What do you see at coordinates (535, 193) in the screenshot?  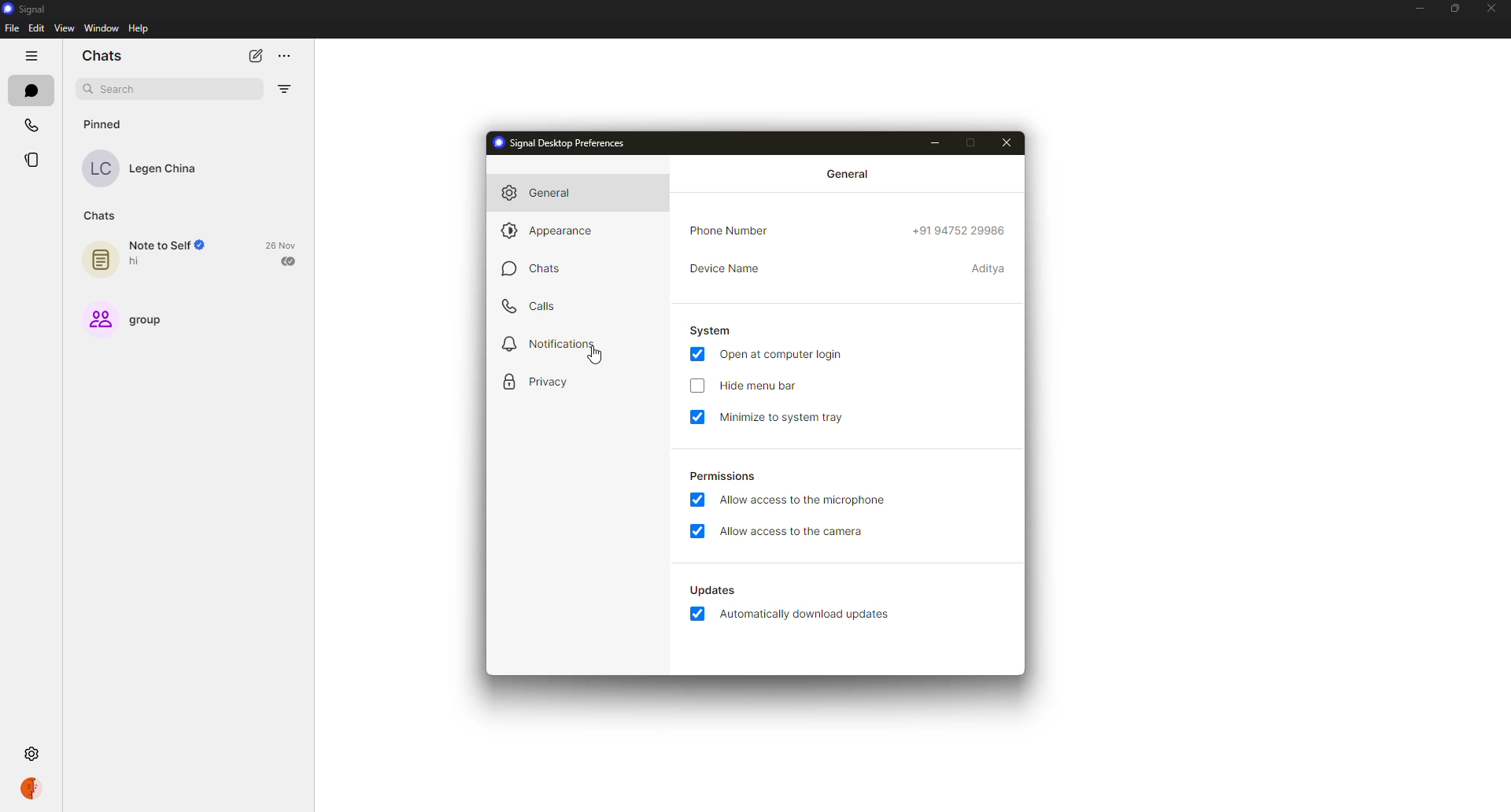 I see `general` at bounding box center [535, 193].